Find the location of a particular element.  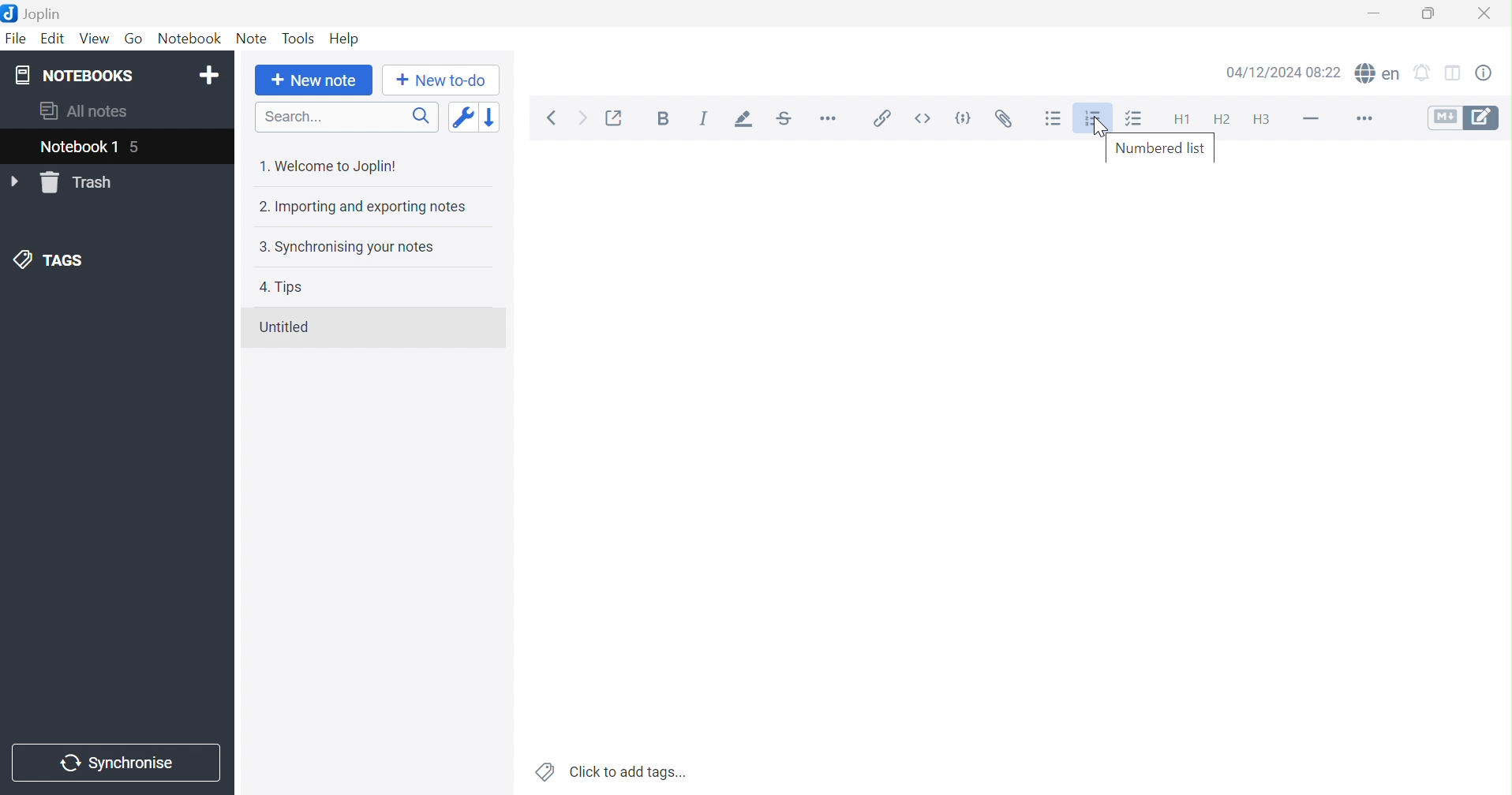

File is located at coordinates (16, 39).